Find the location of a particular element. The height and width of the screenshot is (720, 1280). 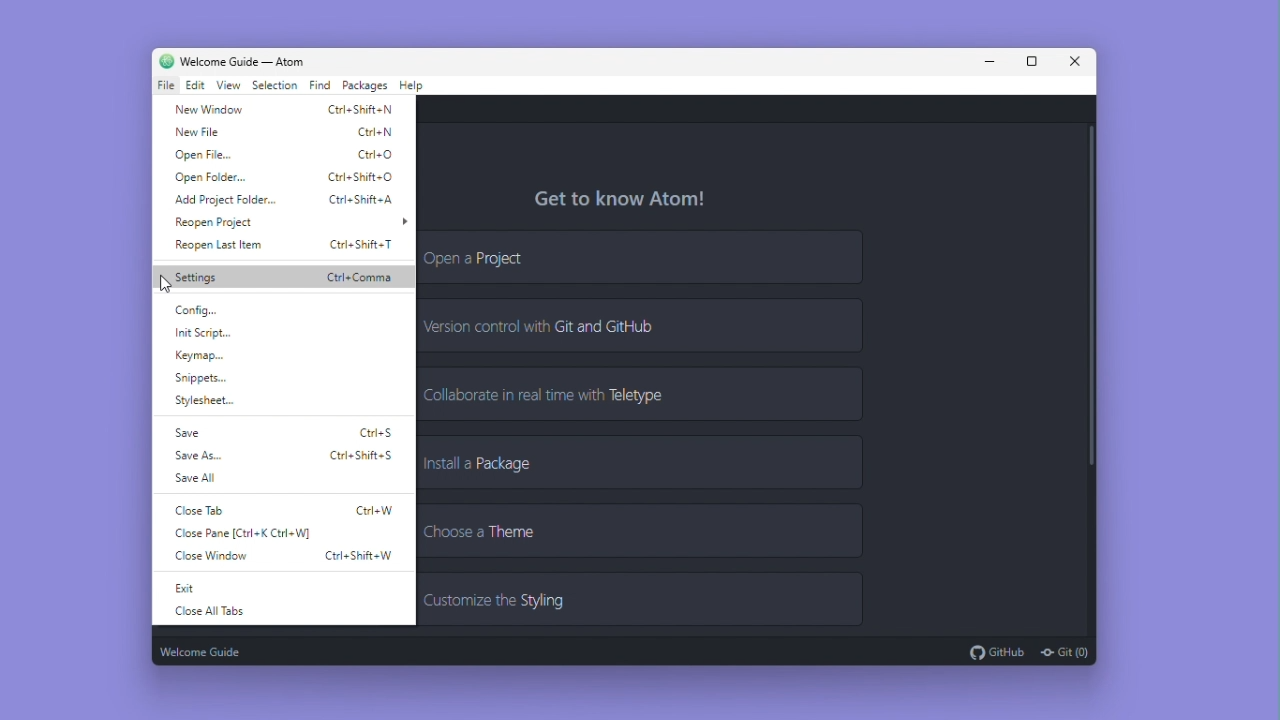

Settings Ctrl+Comma is located at coordinates (286, 277).